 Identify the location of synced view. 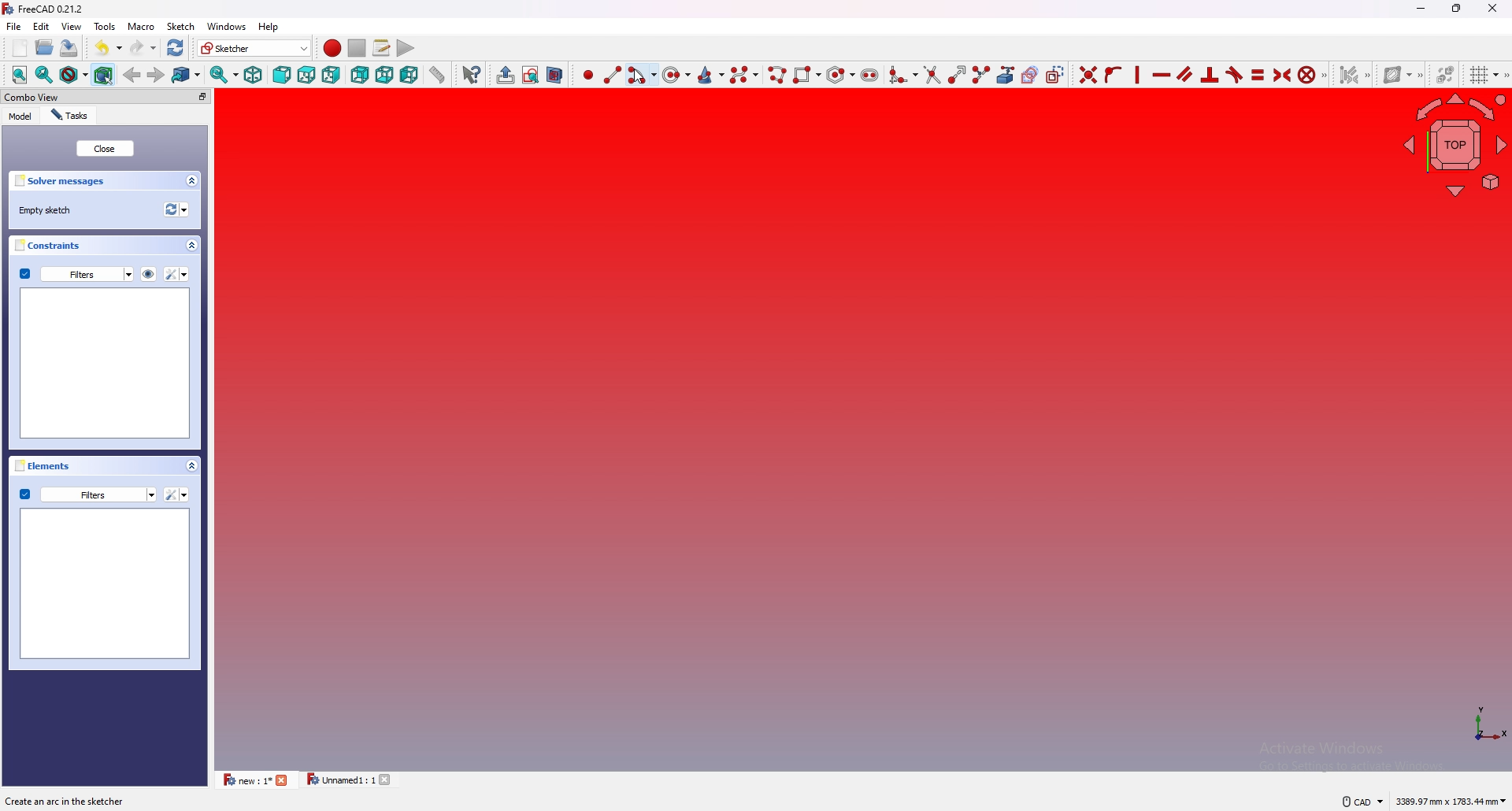
(224, 74).